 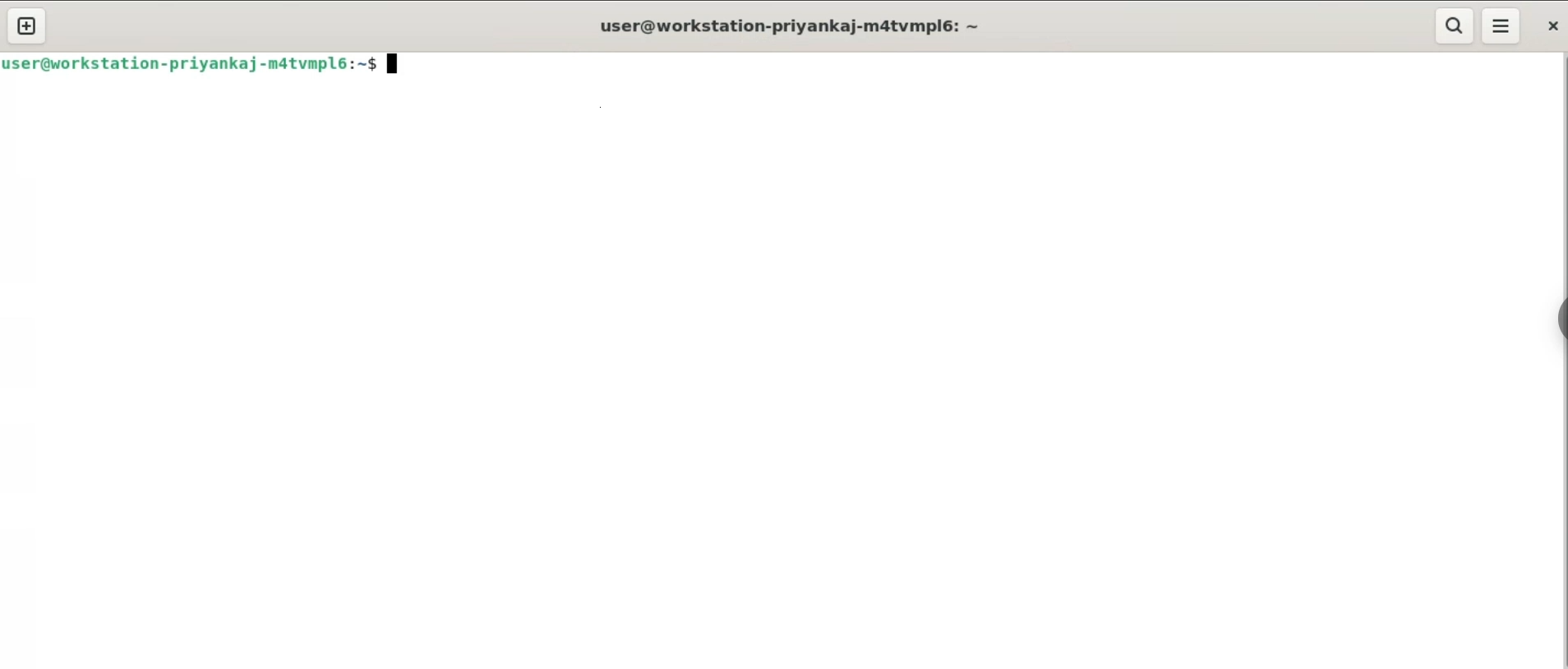 What do you see at coordinates (1452, 25) in the screenshot?
I see `search` at bounding box center [1452, 25].